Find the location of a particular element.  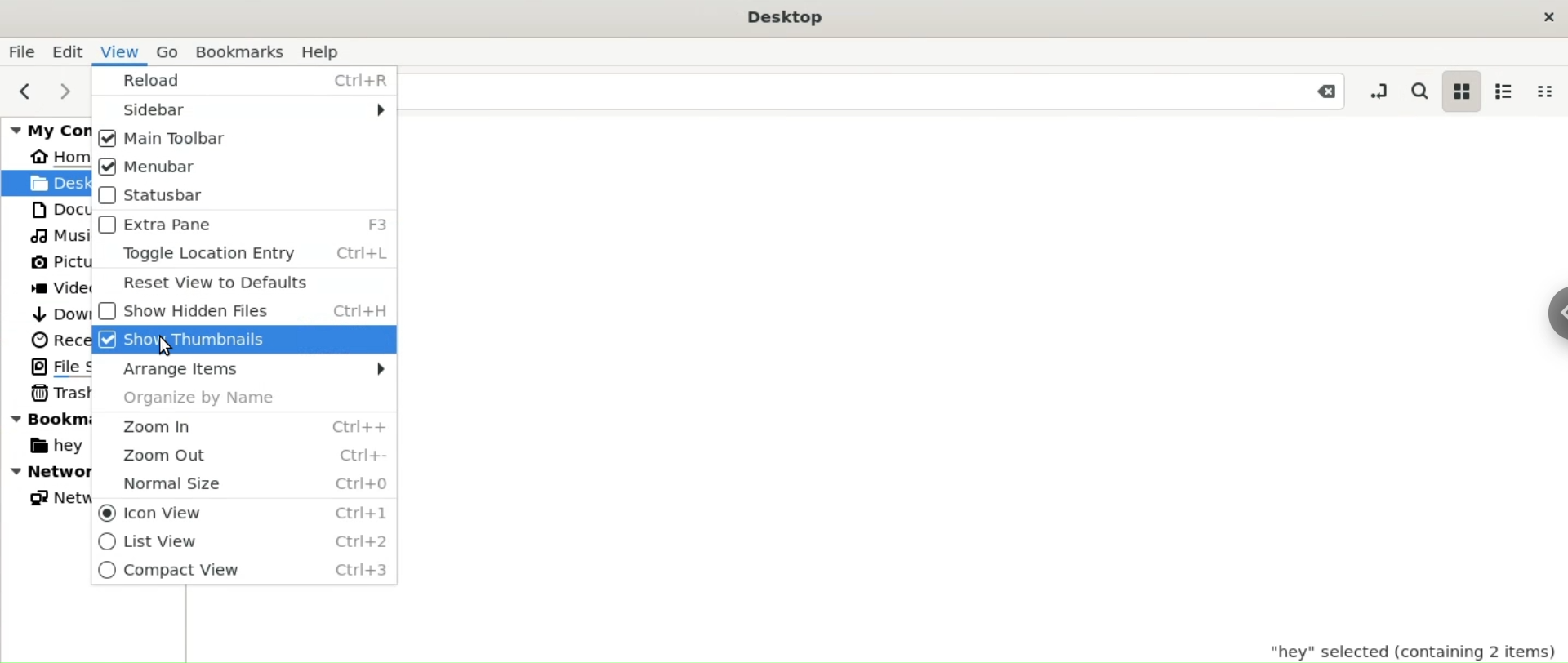

Bookmarks is located at coordinates (241, 51).